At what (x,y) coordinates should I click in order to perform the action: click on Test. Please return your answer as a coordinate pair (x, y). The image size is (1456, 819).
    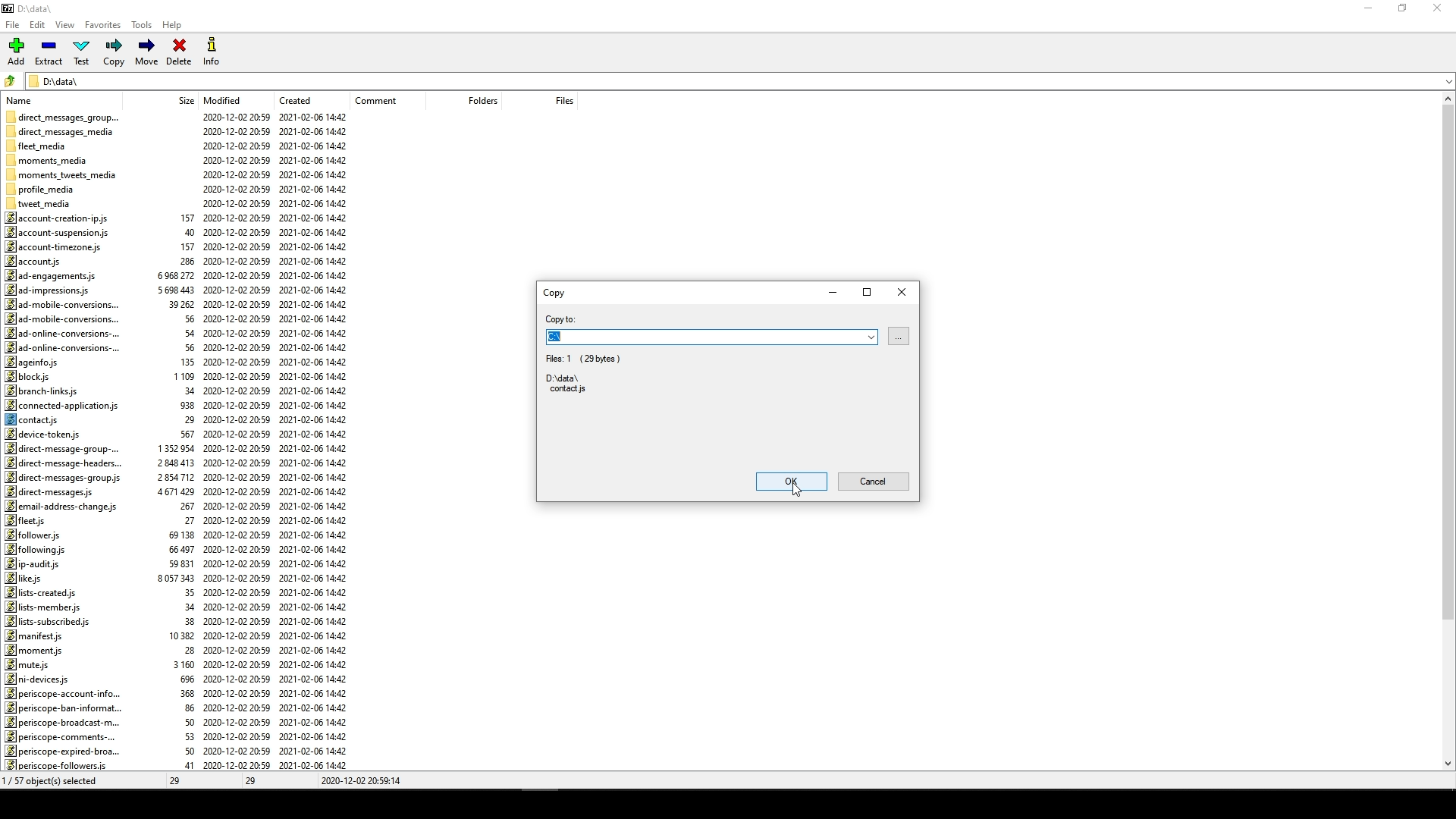
    Looking at the image, I should click on (83, 52).